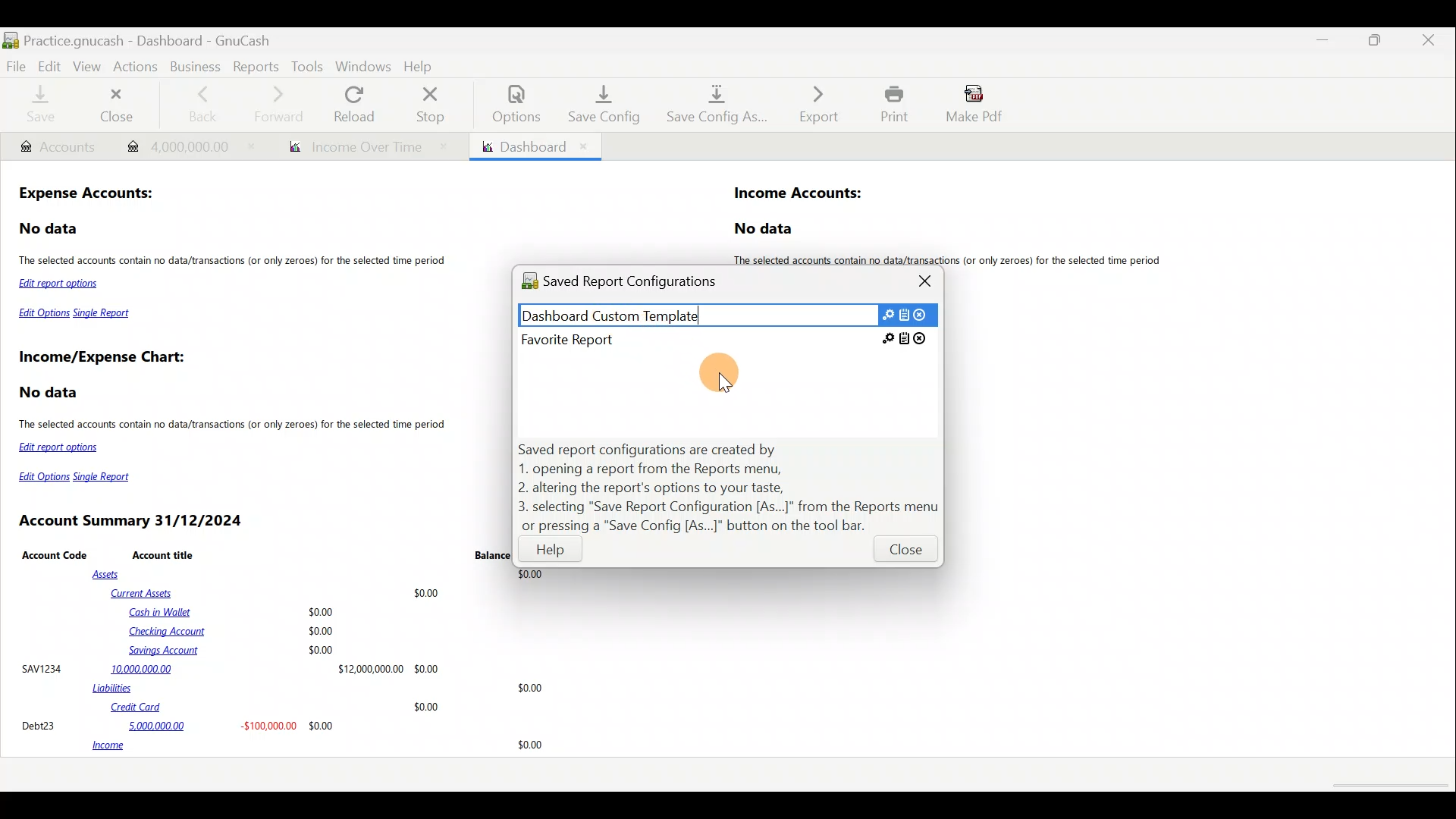 This screenshot has width=1456, height=819. I want to click on The selected accounts contain no data/transactions (or only zeroes) for the selected time period, so click(234, 426).